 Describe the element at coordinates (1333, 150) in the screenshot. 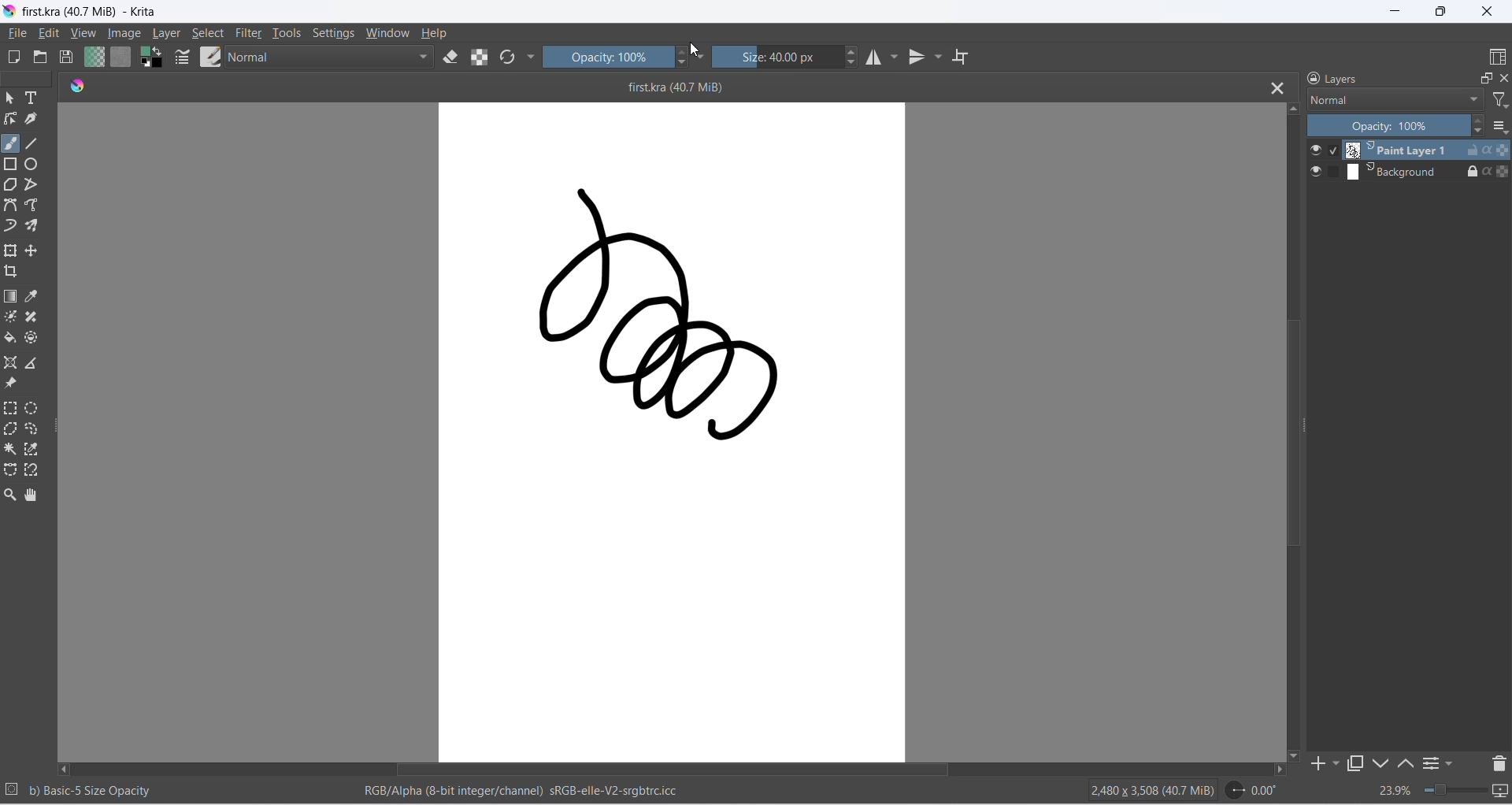

I see `Selected layer` at that location.